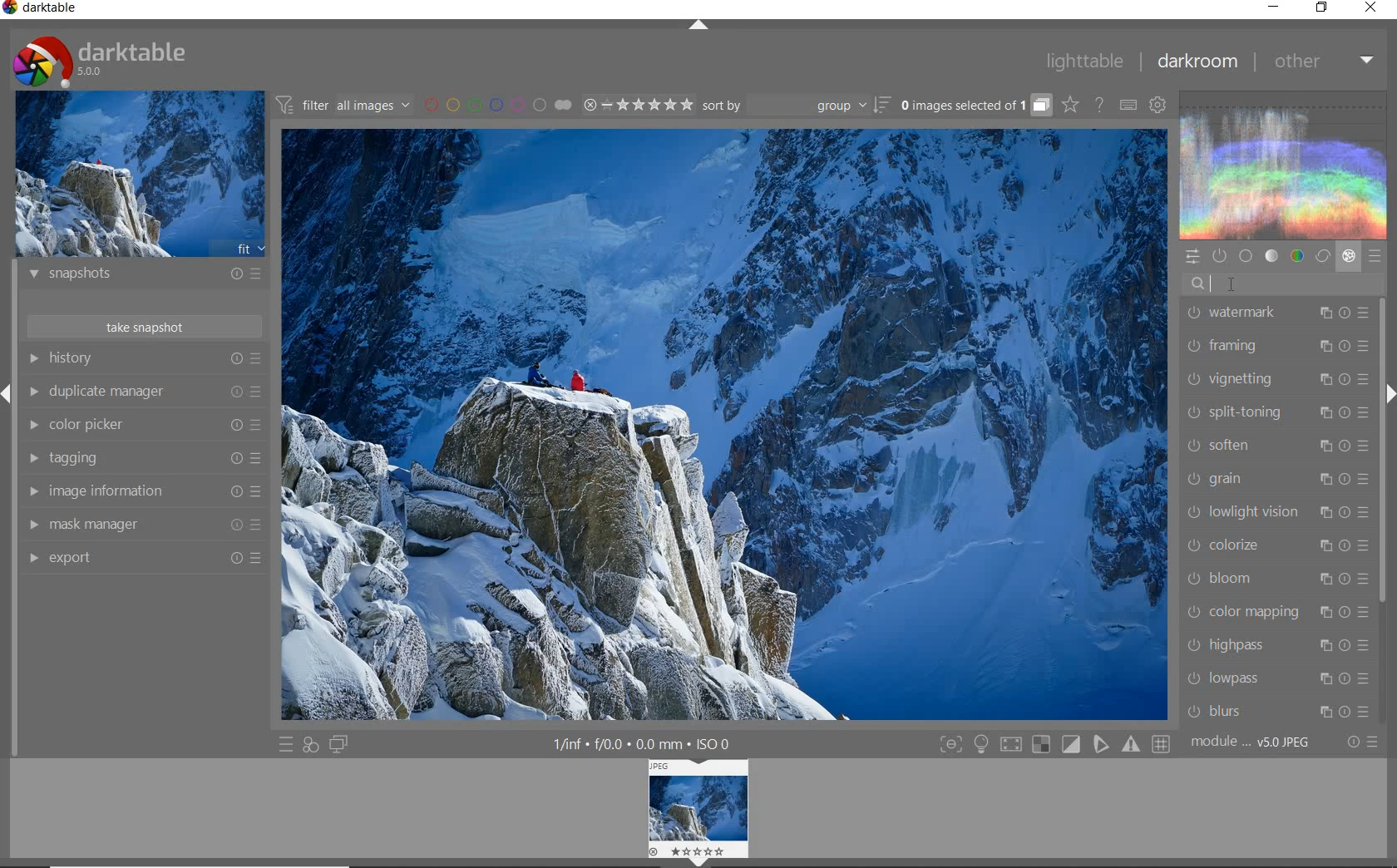 Image resolution: width=1397 pixels, height=868 pixels. I want to click on quick access to presets, so click(286, 745).